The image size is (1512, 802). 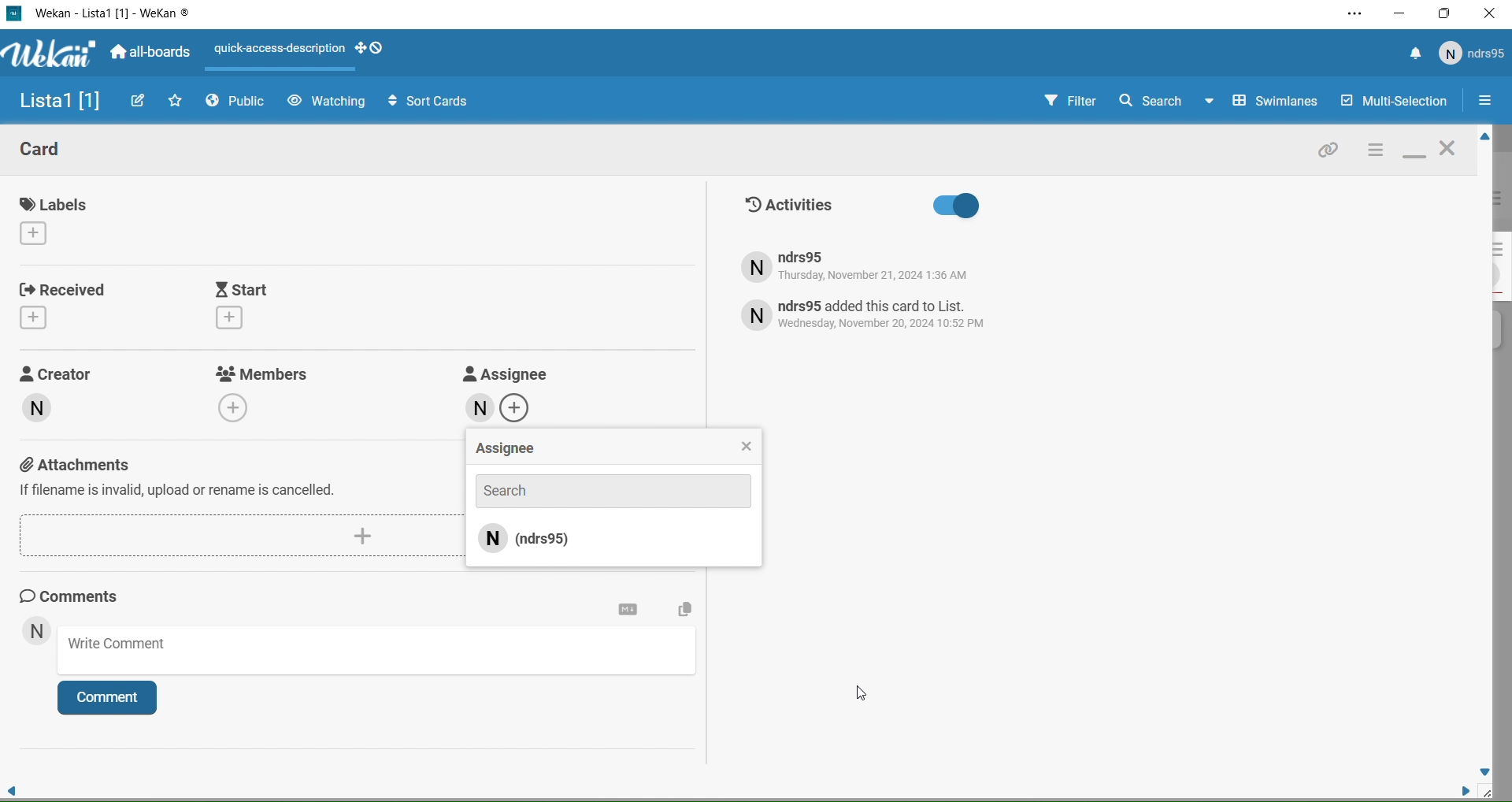 What do you see at coordinates (613, 489) in the screenshot?
I see `Search` at bounding box center [613, 489].